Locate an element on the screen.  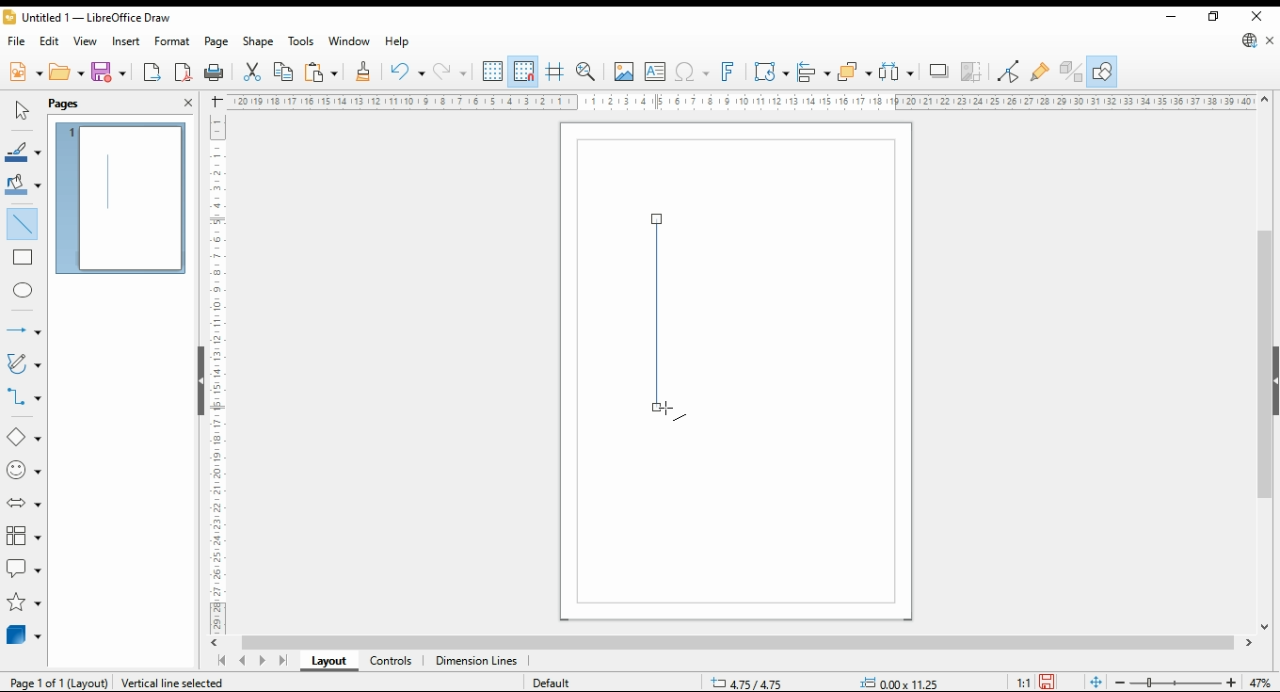
scroll bar is located at coordinates (736, 643).